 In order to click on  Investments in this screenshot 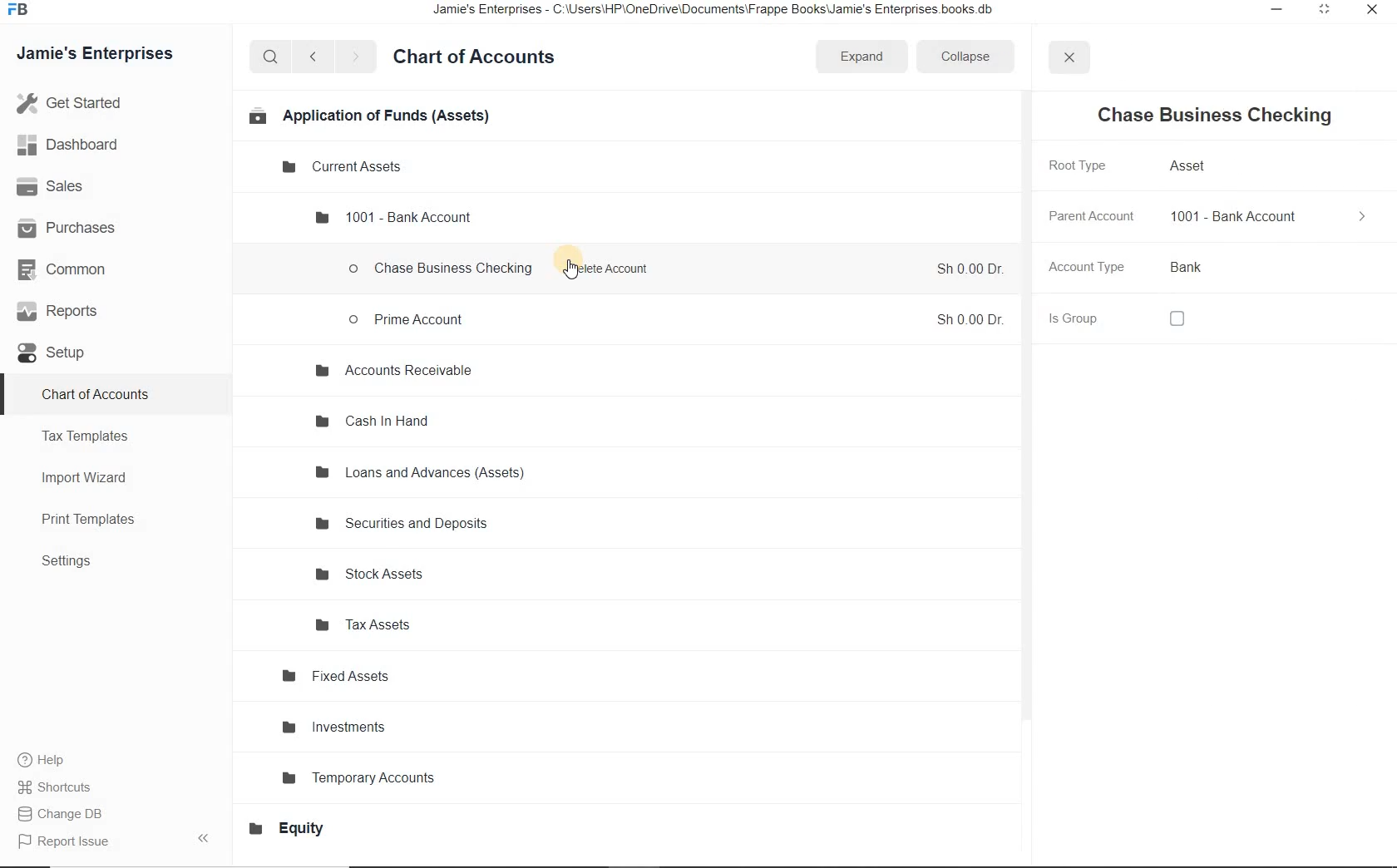, I will do `click(338, 727)`.